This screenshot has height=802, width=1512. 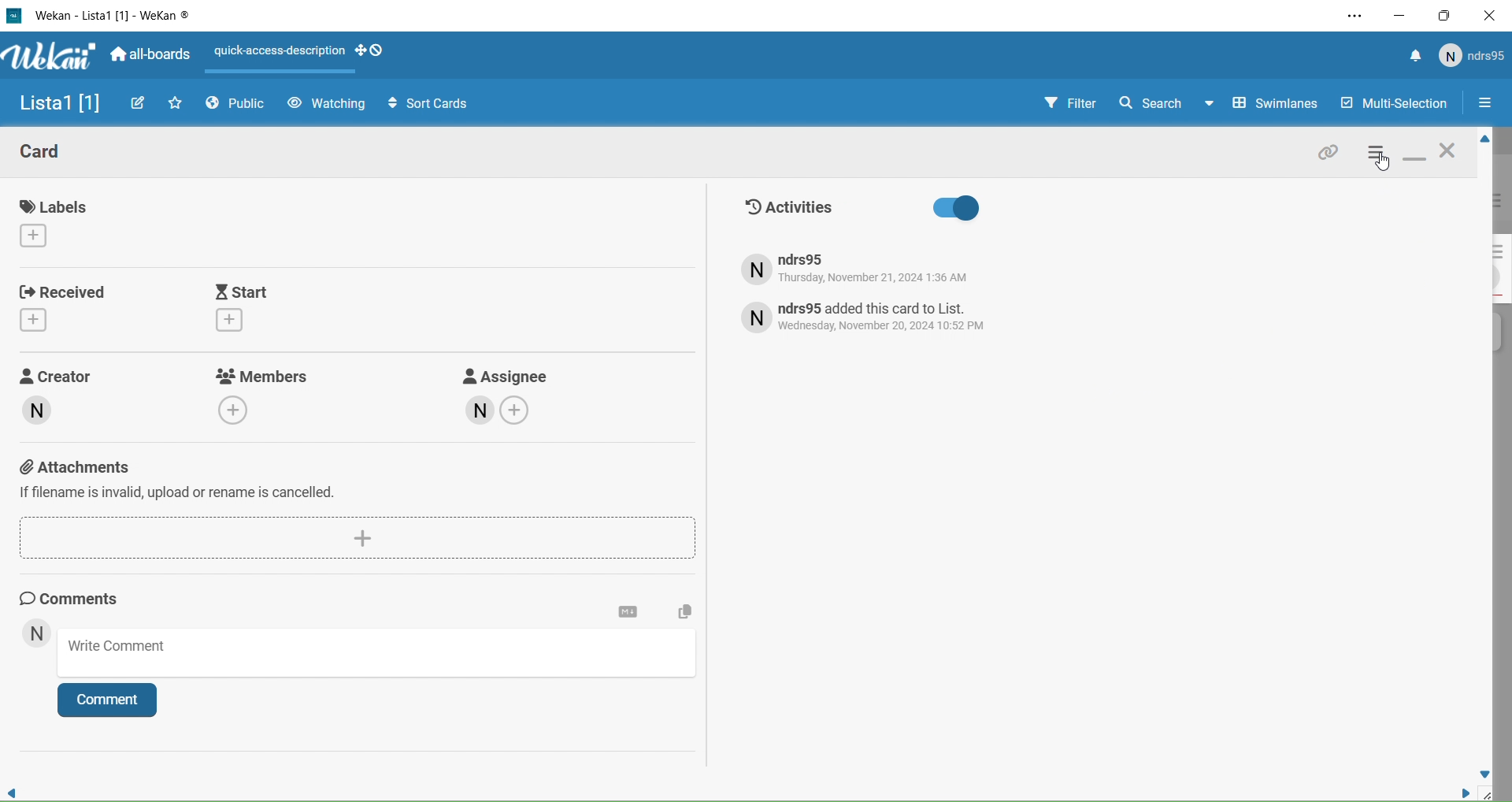 What do you see at coordinates (860, 271) in the screenshot?
I see `activity` at bounding box center [860, 271].